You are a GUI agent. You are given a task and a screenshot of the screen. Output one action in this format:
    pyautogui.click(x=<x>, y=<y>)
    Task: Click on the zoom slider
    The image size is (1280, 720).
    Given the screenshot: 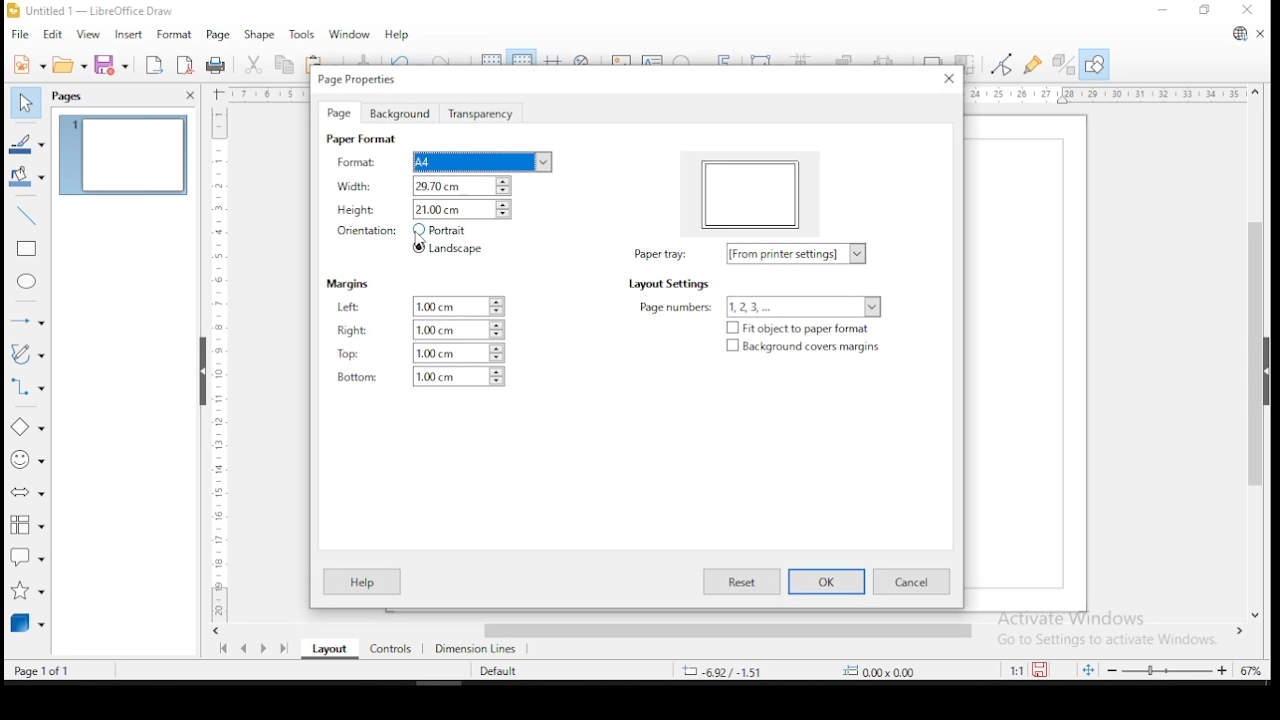 What is the action you would take?
    pyautogui.click(x=1171, y=669)
    